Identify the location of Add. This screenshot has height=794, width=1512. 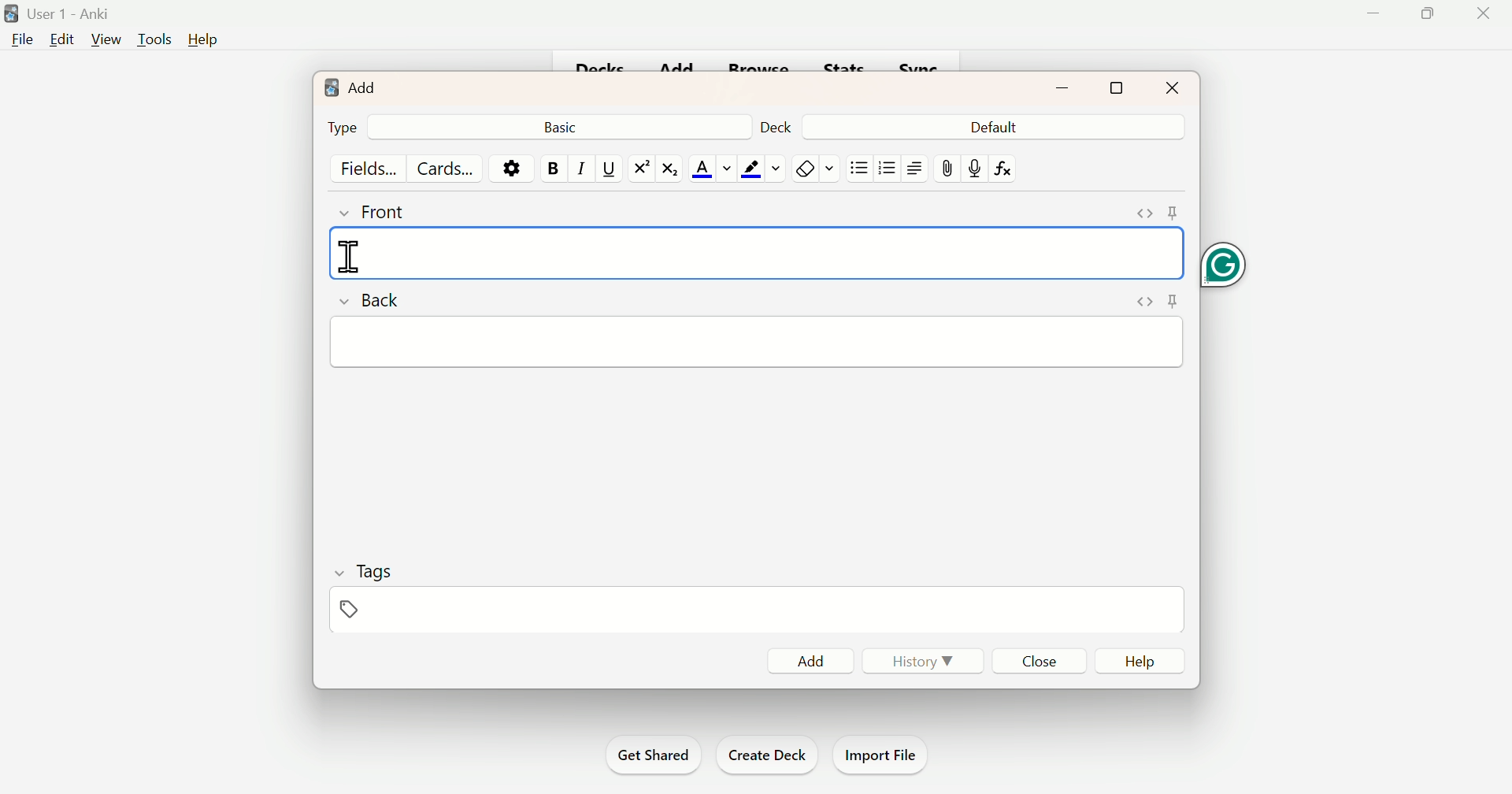
(353, 89).